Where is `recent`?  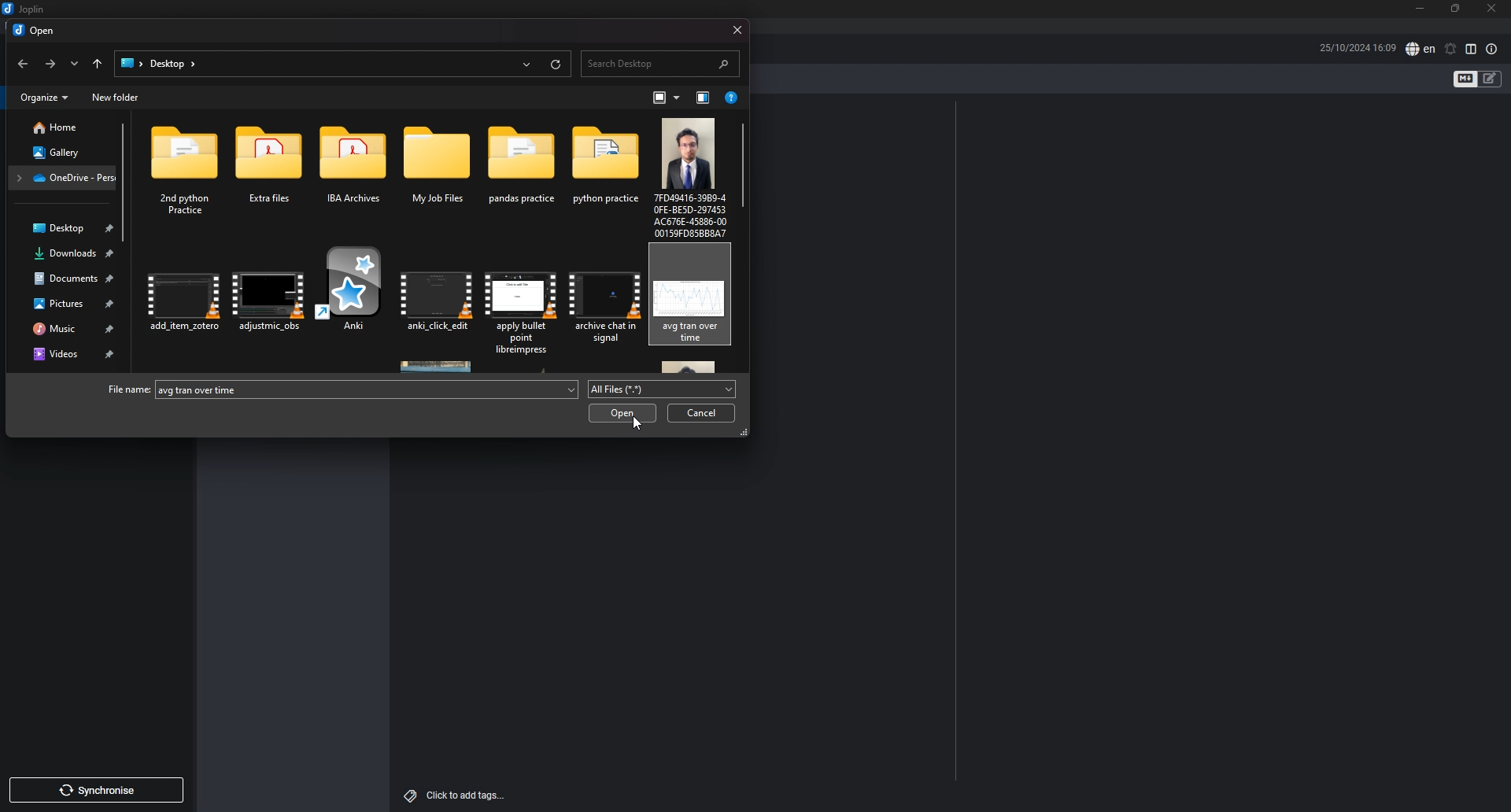
recent is located at coordinates (525, 63).